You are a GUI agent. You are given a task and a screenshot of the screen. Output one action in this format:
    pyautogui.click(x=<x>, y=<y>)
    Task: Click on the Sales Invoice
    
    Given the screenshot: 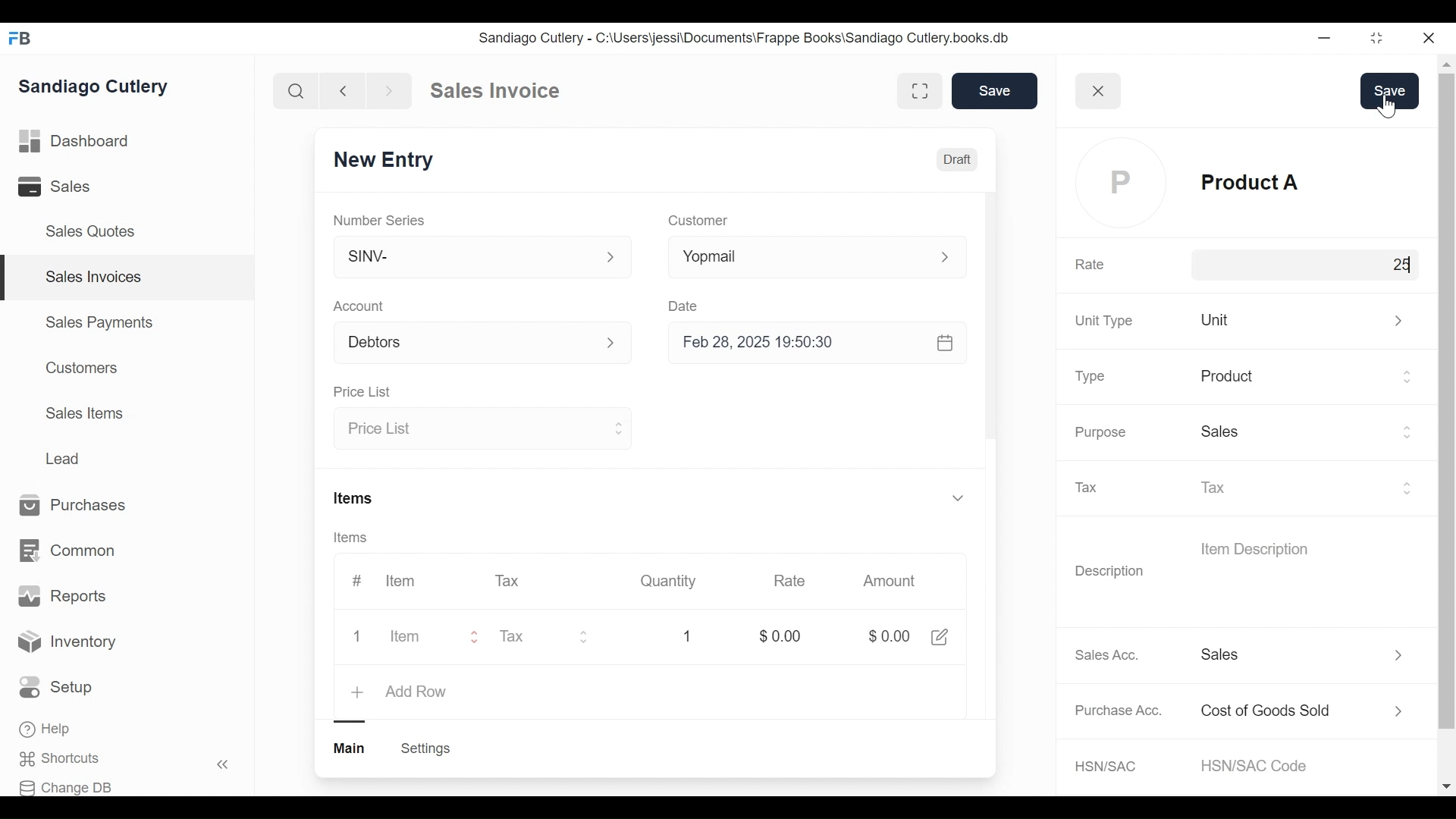 What is the action you would take?
    pyautogui.click(x=494, y=91)
    